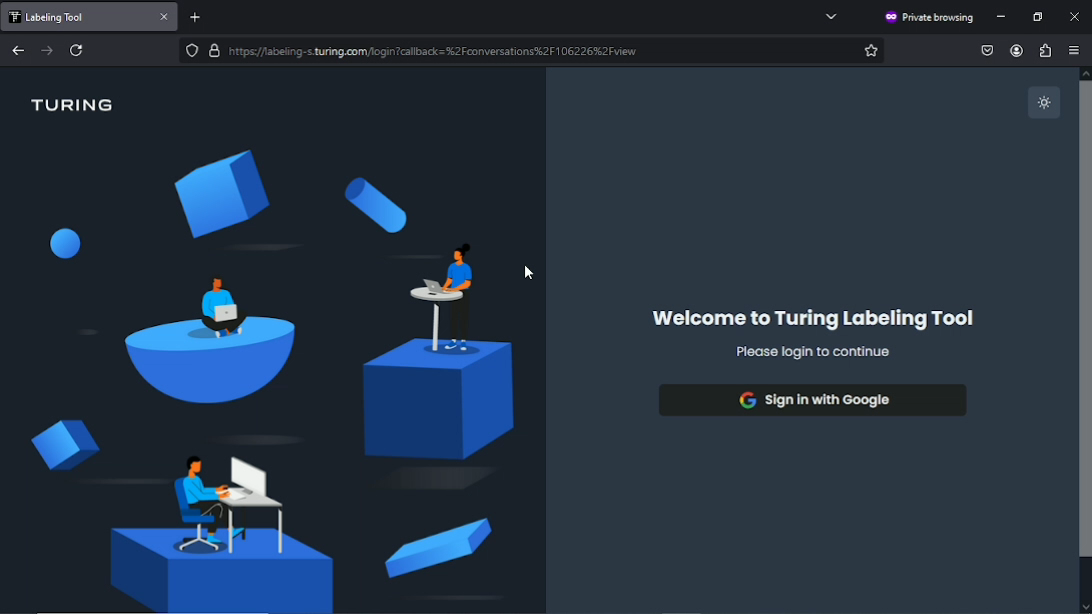  Describe the element at coordinates (1044, 103) in the screenshot. I see `Appearance` at that location.